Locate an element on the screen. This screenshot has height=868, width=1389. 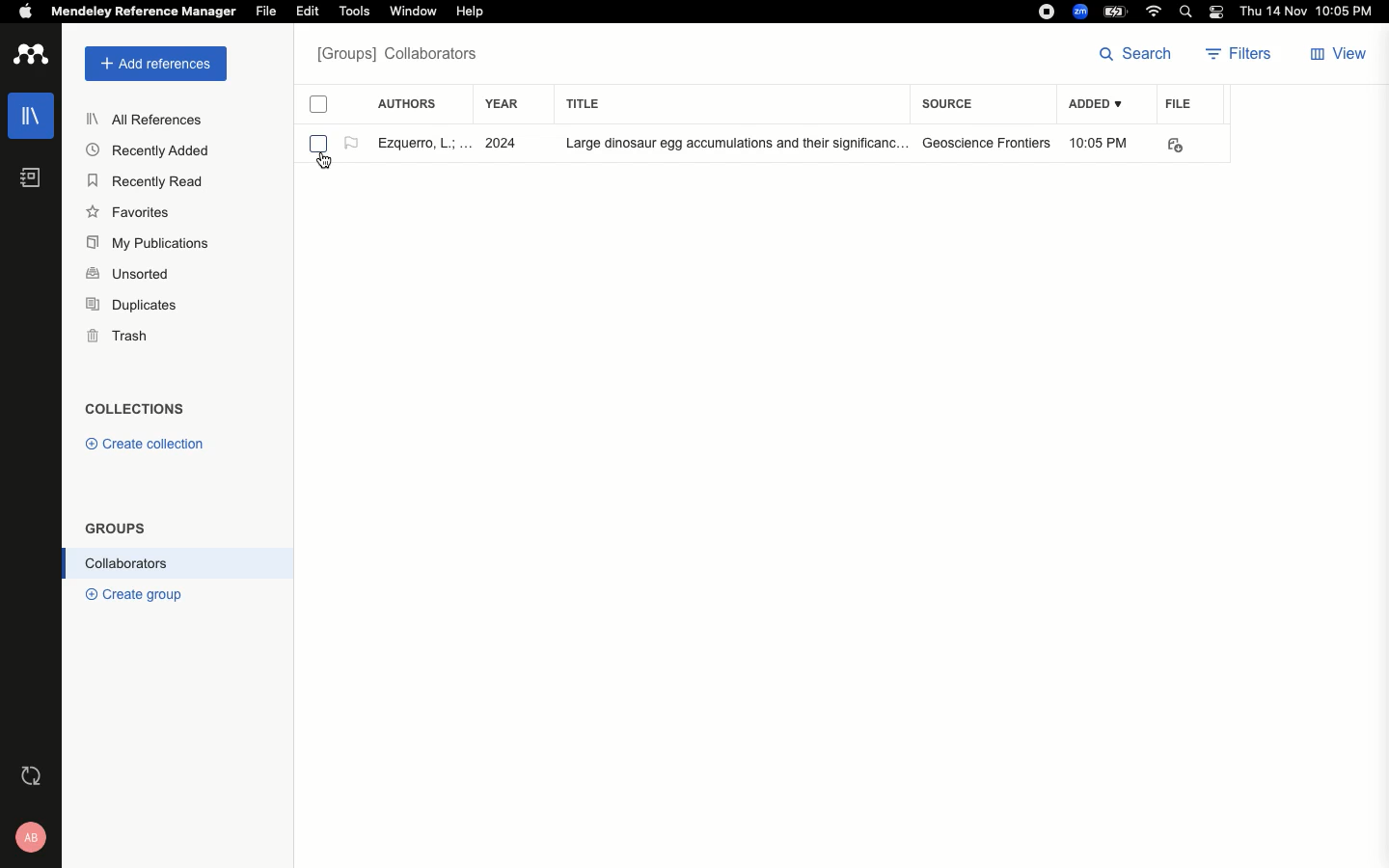
Year is located at coordinates (511, 105).